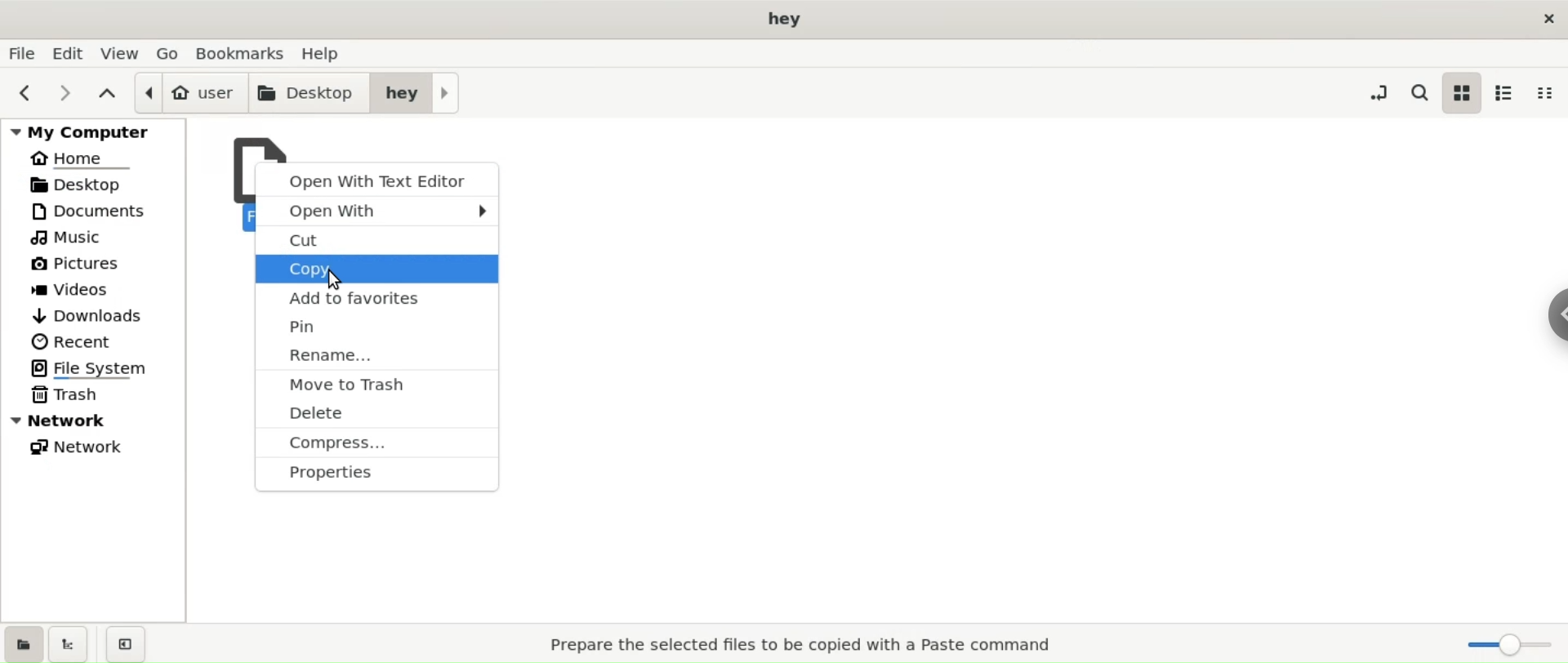 The height and width of the screenshot is (663, 1568). What do you see at coordinates (96, 265) in the screenshot?
I see `pictures` at bounding box center [96, 265].